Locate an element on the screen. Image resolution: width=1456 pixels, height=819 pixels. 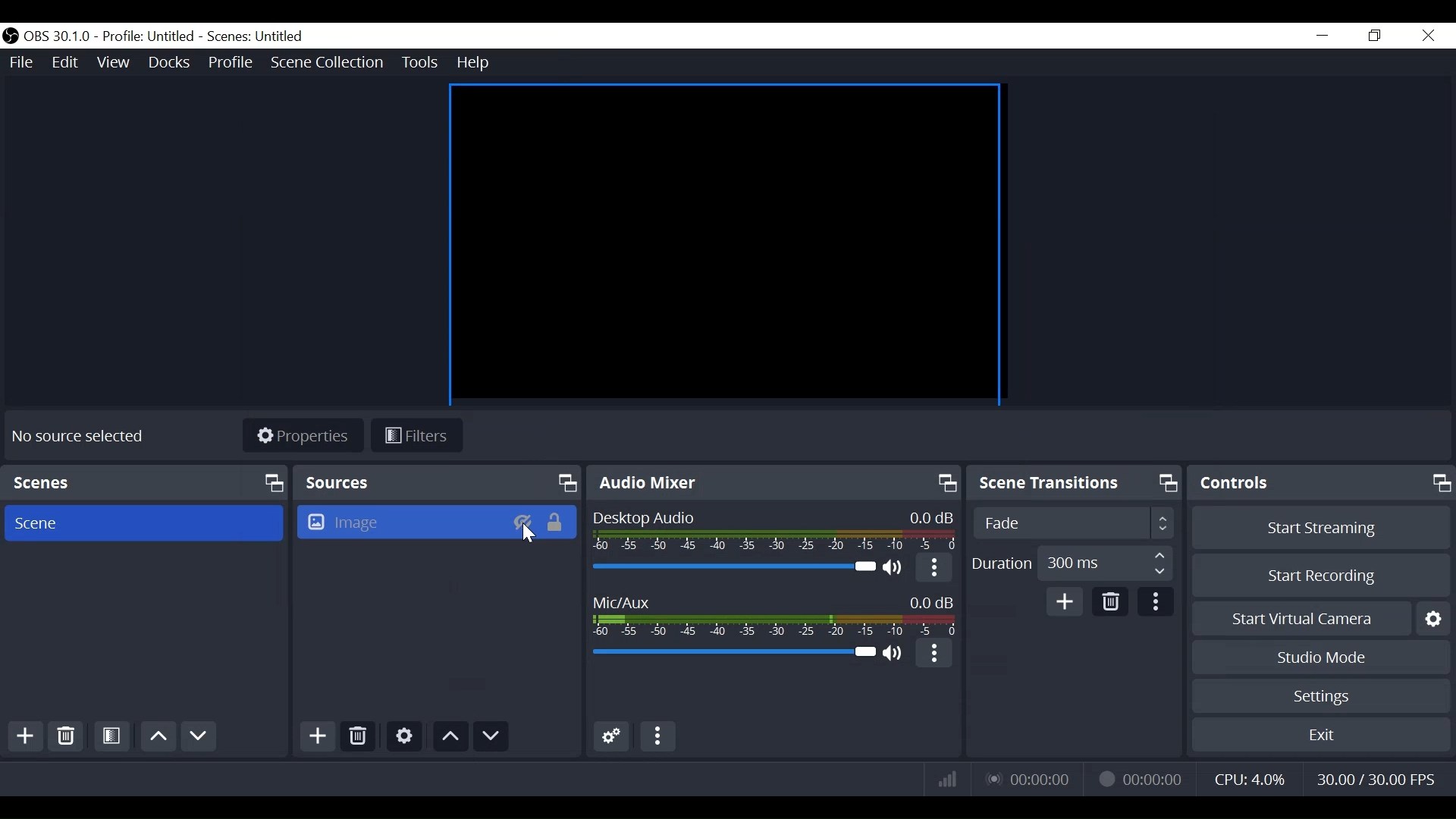
Version is located at coordinates (57, 36).